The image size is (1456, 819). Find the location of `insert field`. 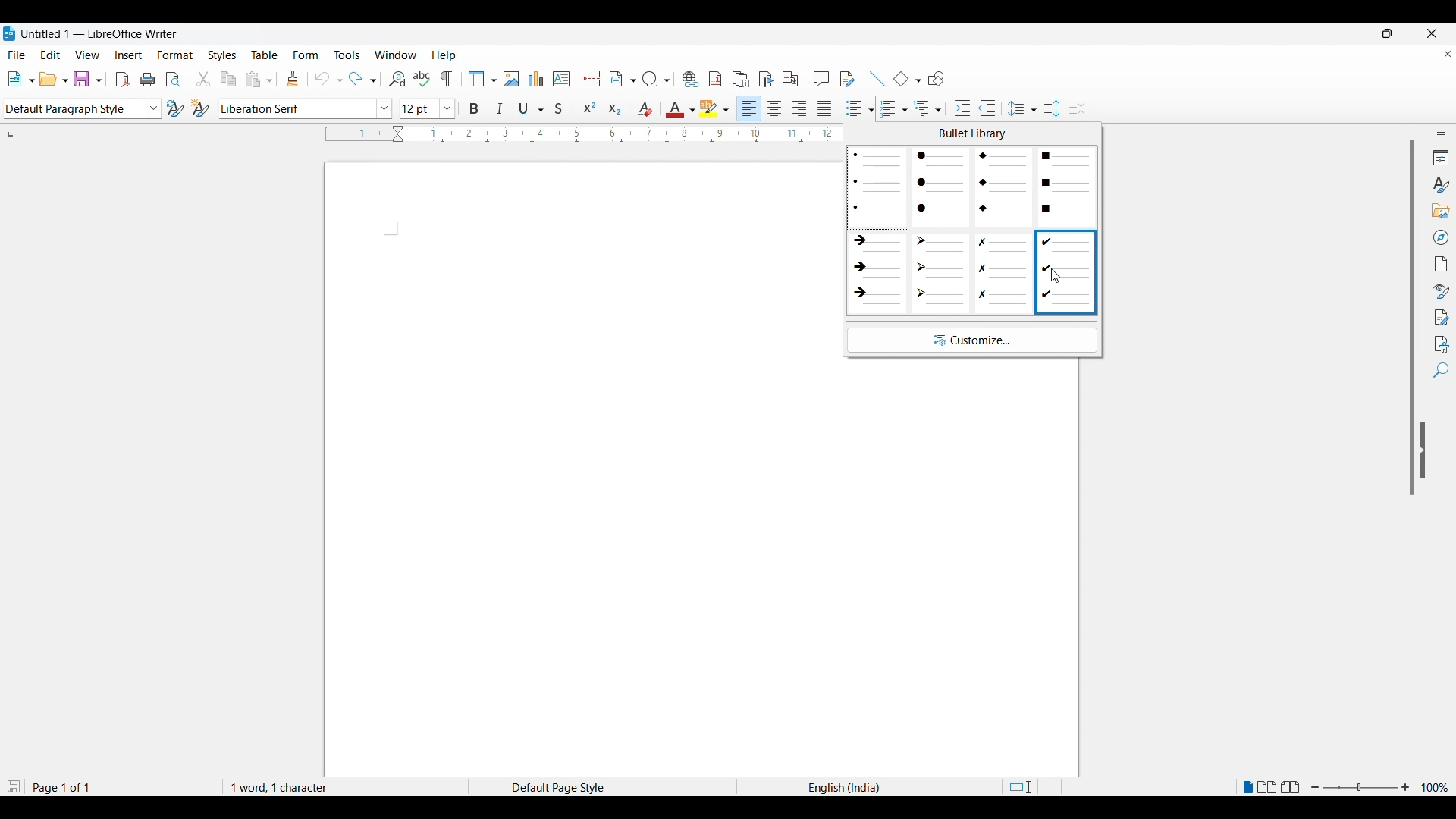

insert field is located at coordinates (621, 78).